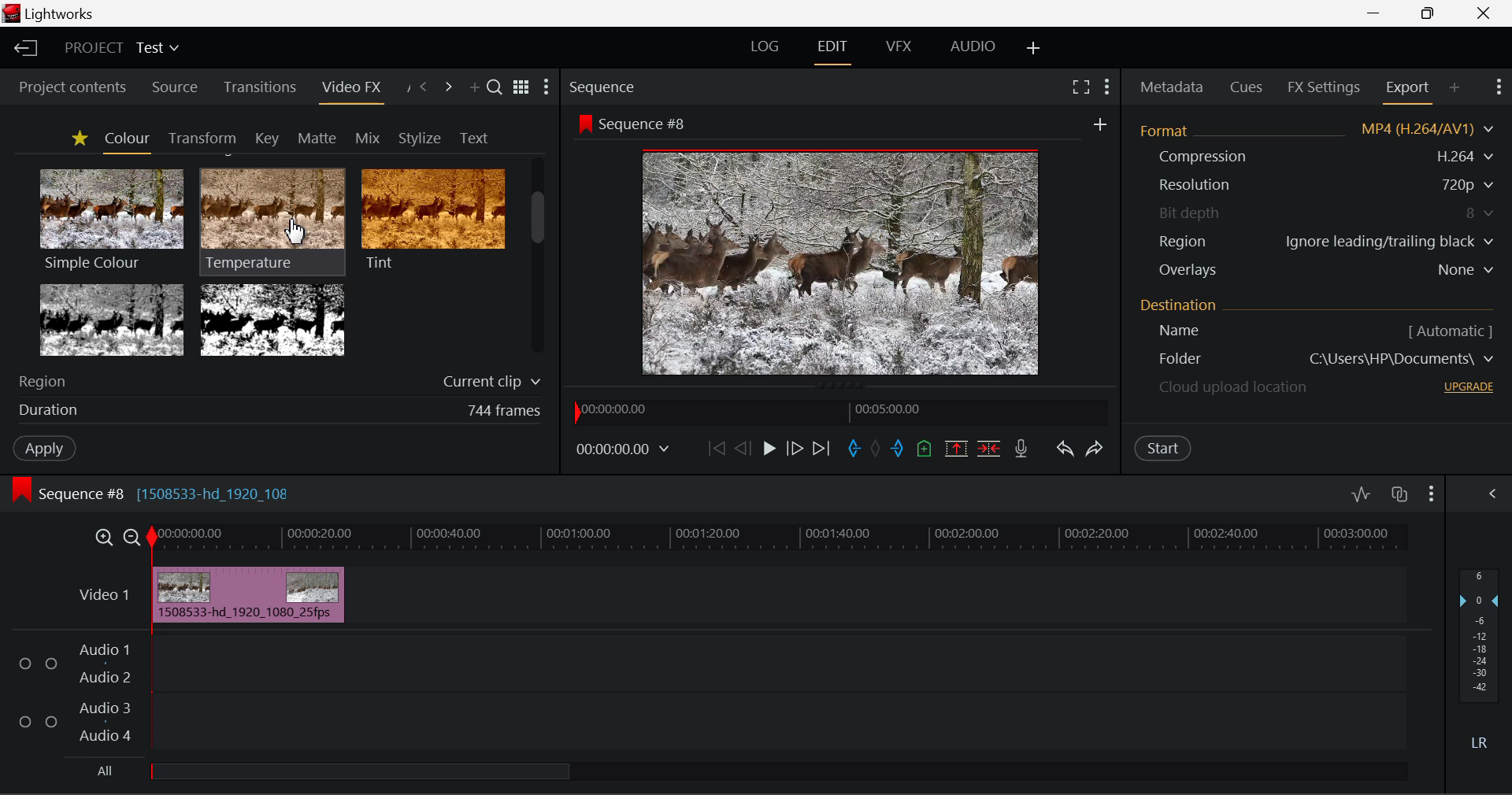 This screenshot has height=795, width=1512. What do you see at coordinates (504, 411) in the screenshot?
I see `744 frames` at bounding box center [504, 411].